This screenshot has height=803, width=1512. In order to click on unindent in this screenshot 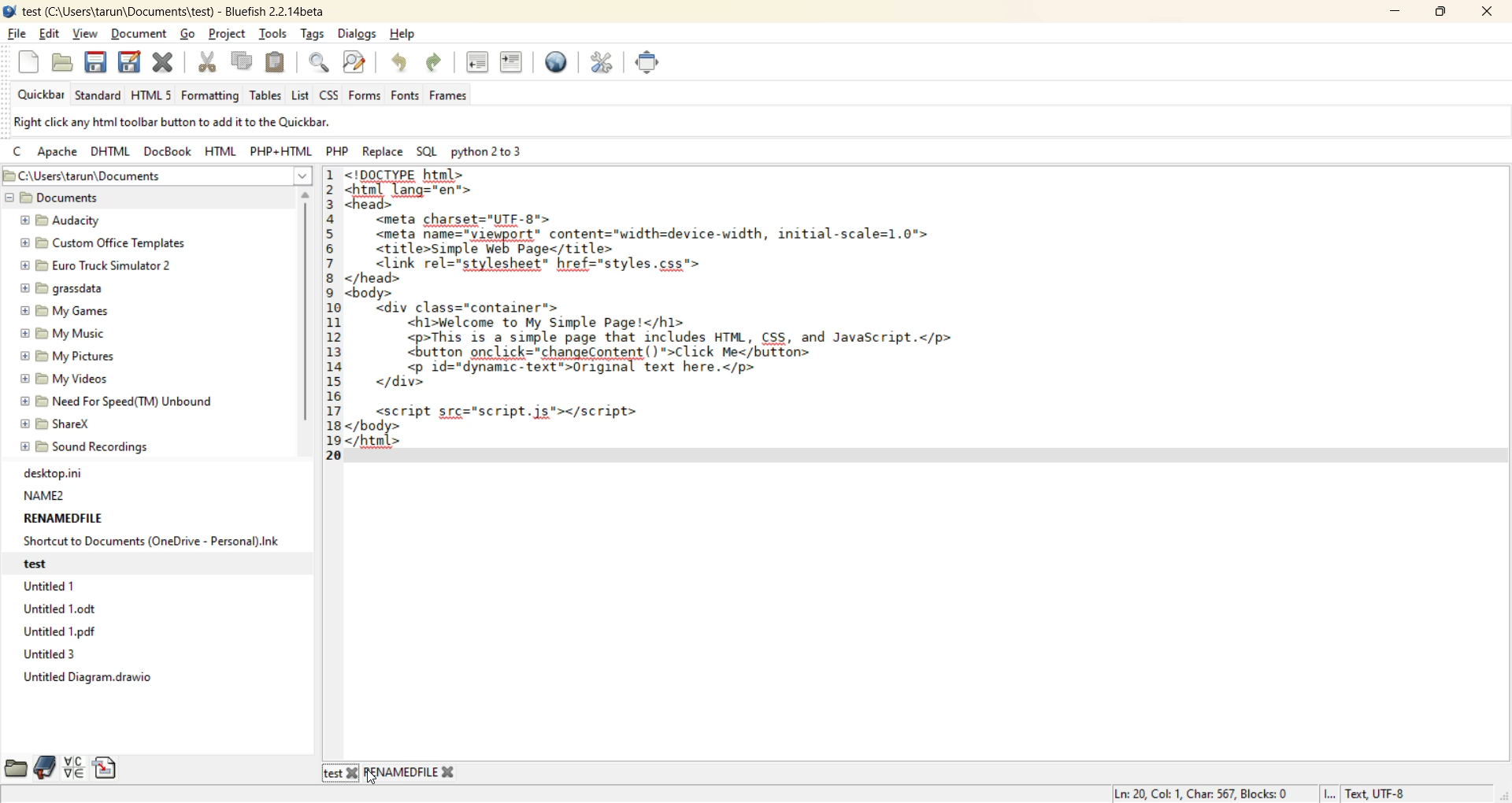, I will do `click(478, 62)`.